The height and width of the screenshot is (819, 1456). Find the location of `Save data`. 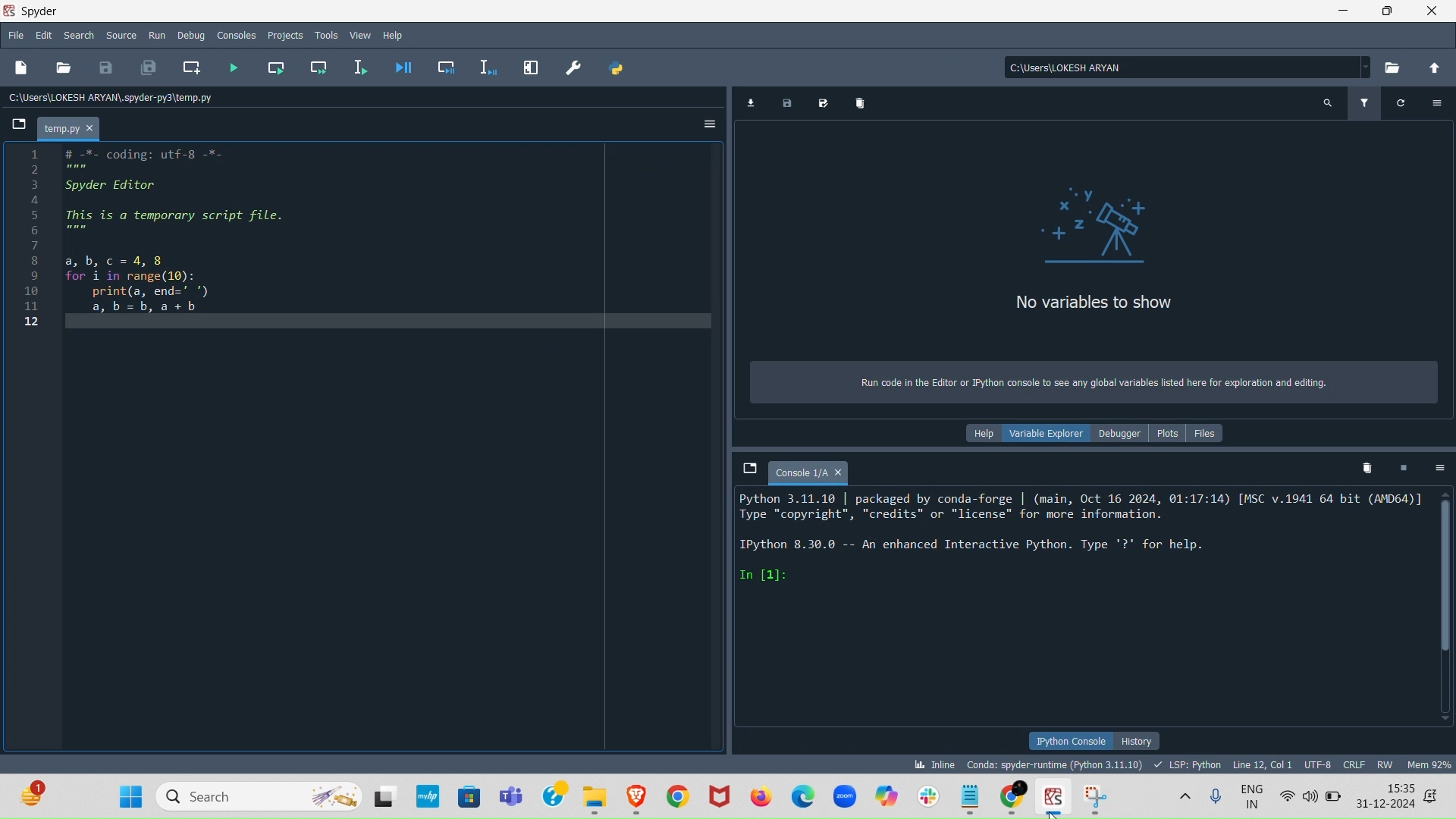

Save data is located at coordinates (784, 104).